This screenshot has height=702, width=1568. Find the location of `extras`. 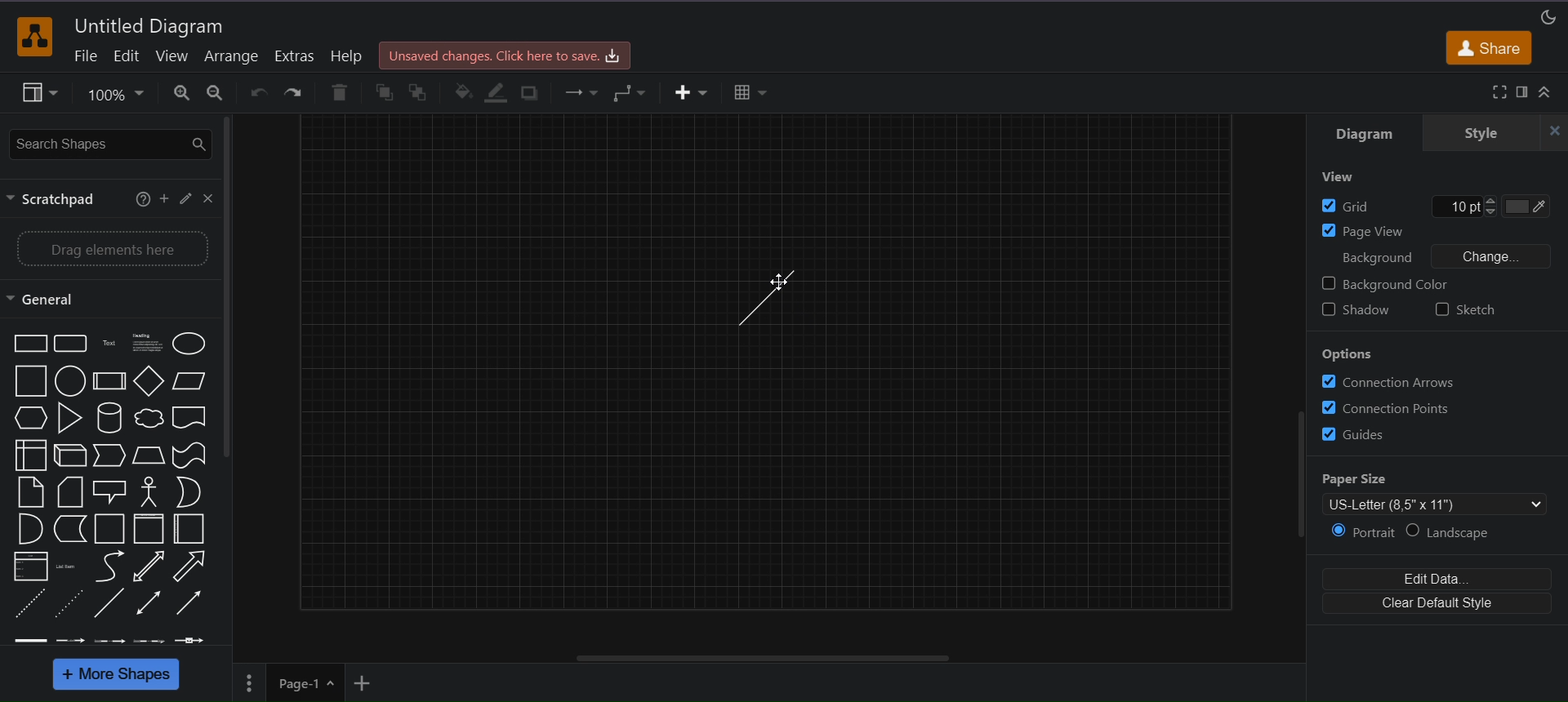

extras is located at coordinates (295, 56).